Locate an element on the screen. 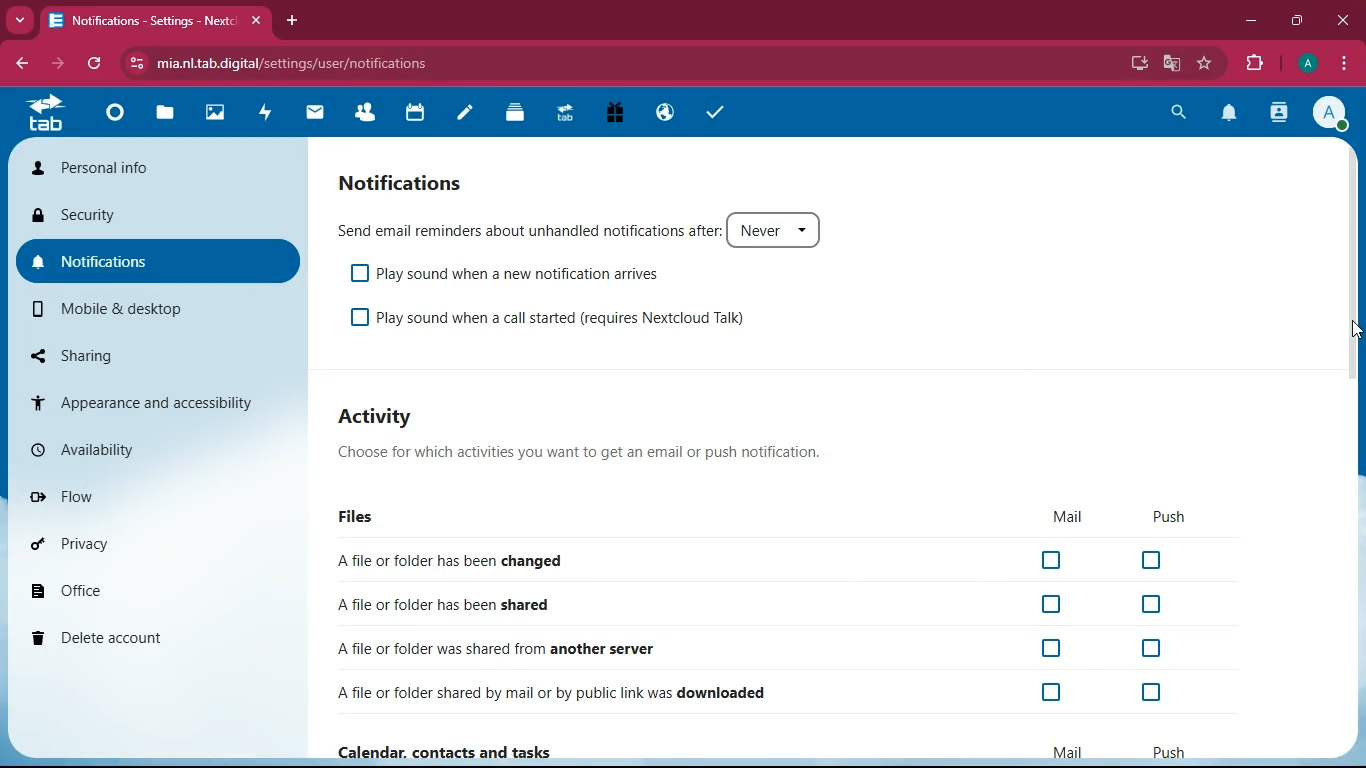 The height and width of the screenshot is (768, 1366). back is located at coordinates (19, 63).